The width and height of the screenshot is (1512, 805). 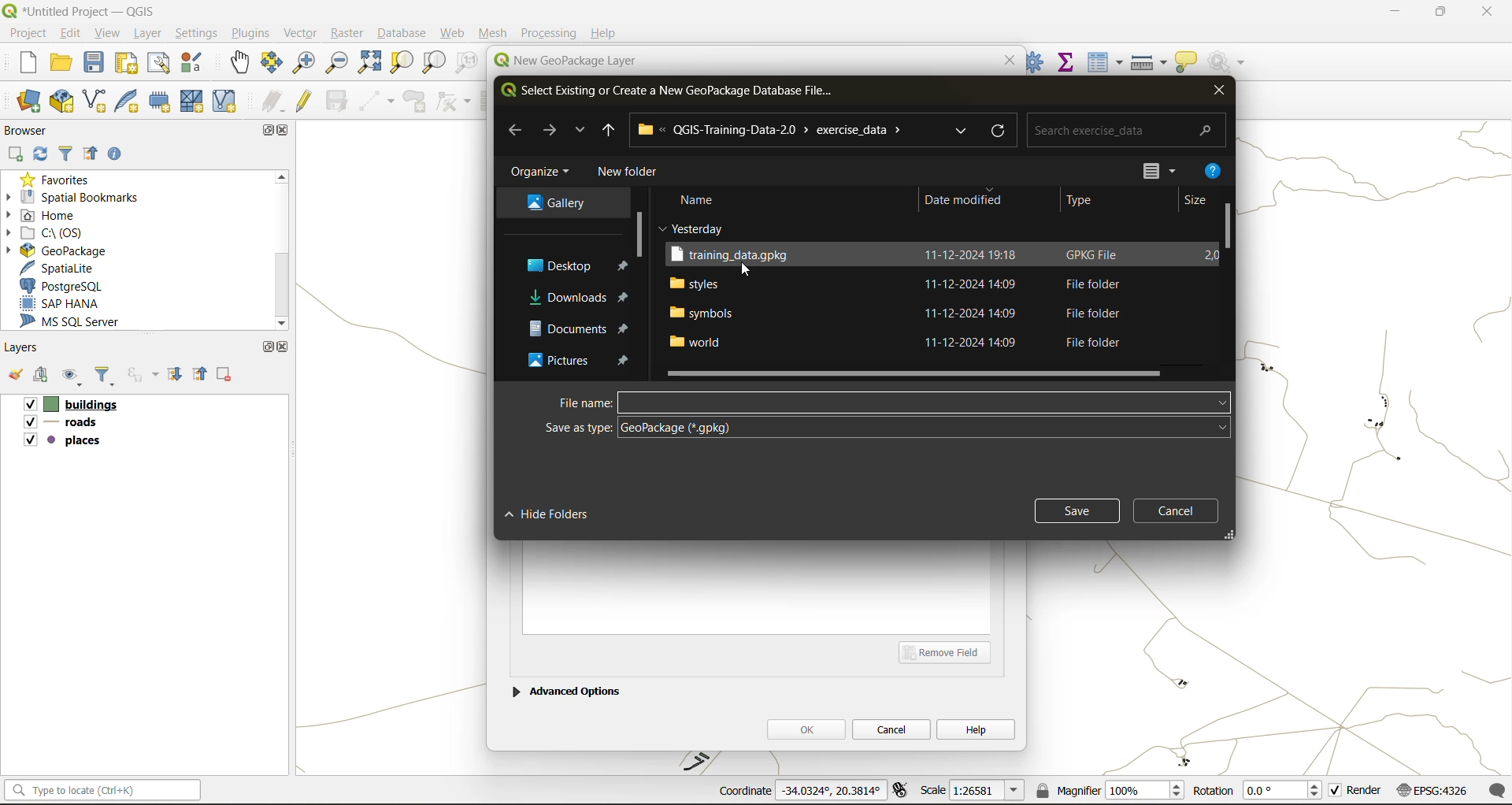 I want to click on File folder, so click(x=1089, y=342).